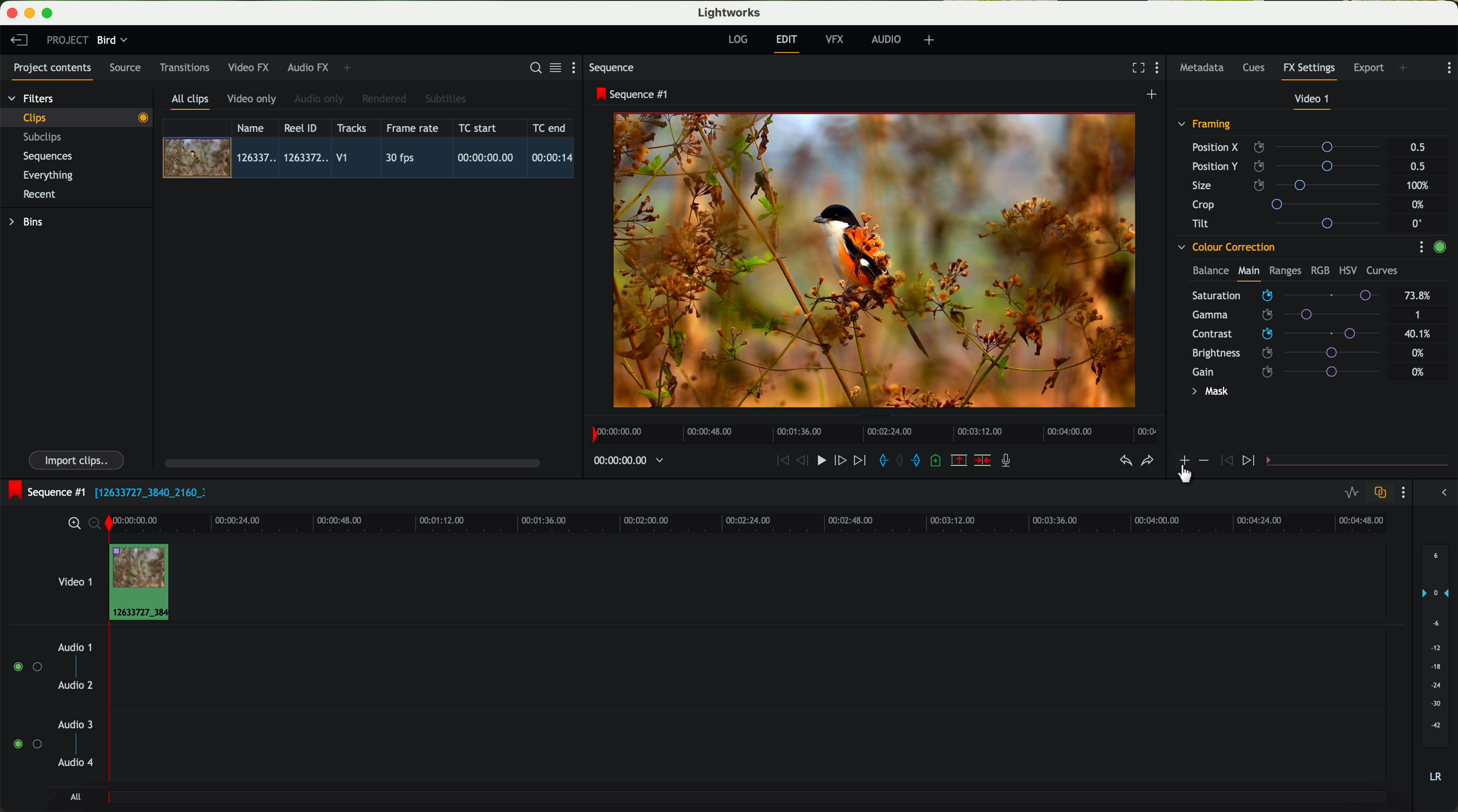 This screenshot has height=812, width=1458. I want to click on fullscreen, so click(1136, 67).